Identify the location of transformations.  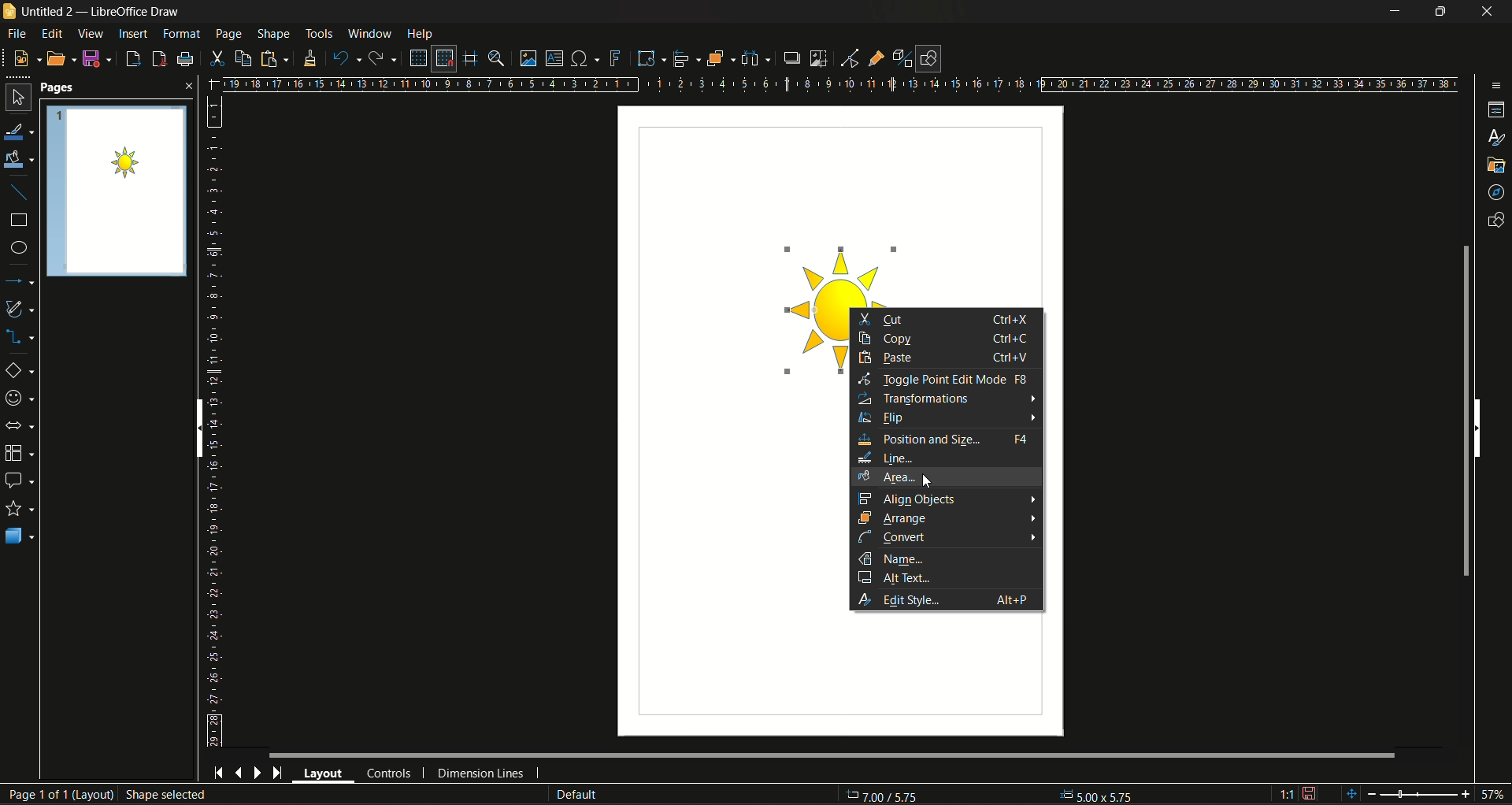
(913, 399).